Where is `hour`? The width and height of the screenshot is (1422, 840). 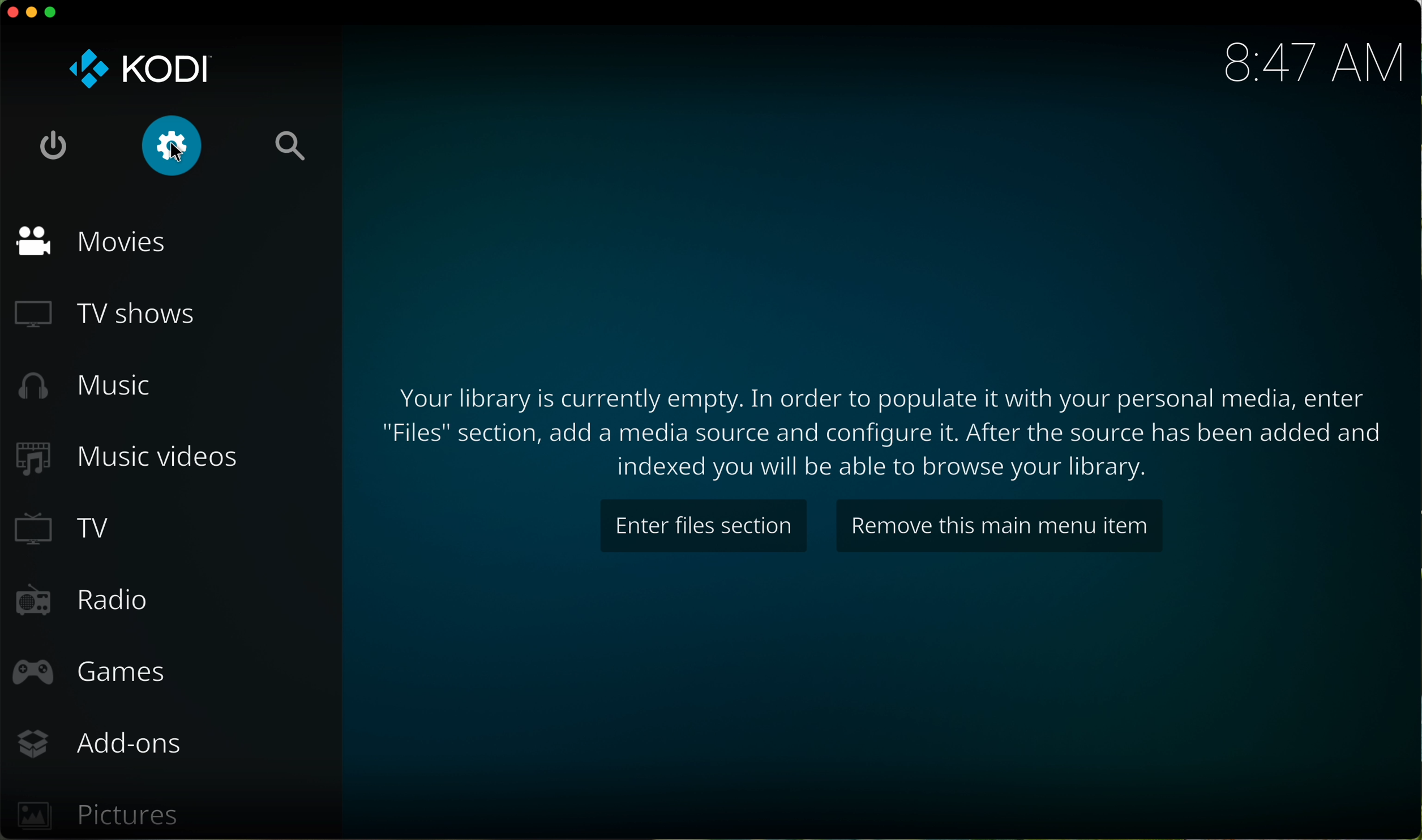 hour is located at coordinates (1311, 63).